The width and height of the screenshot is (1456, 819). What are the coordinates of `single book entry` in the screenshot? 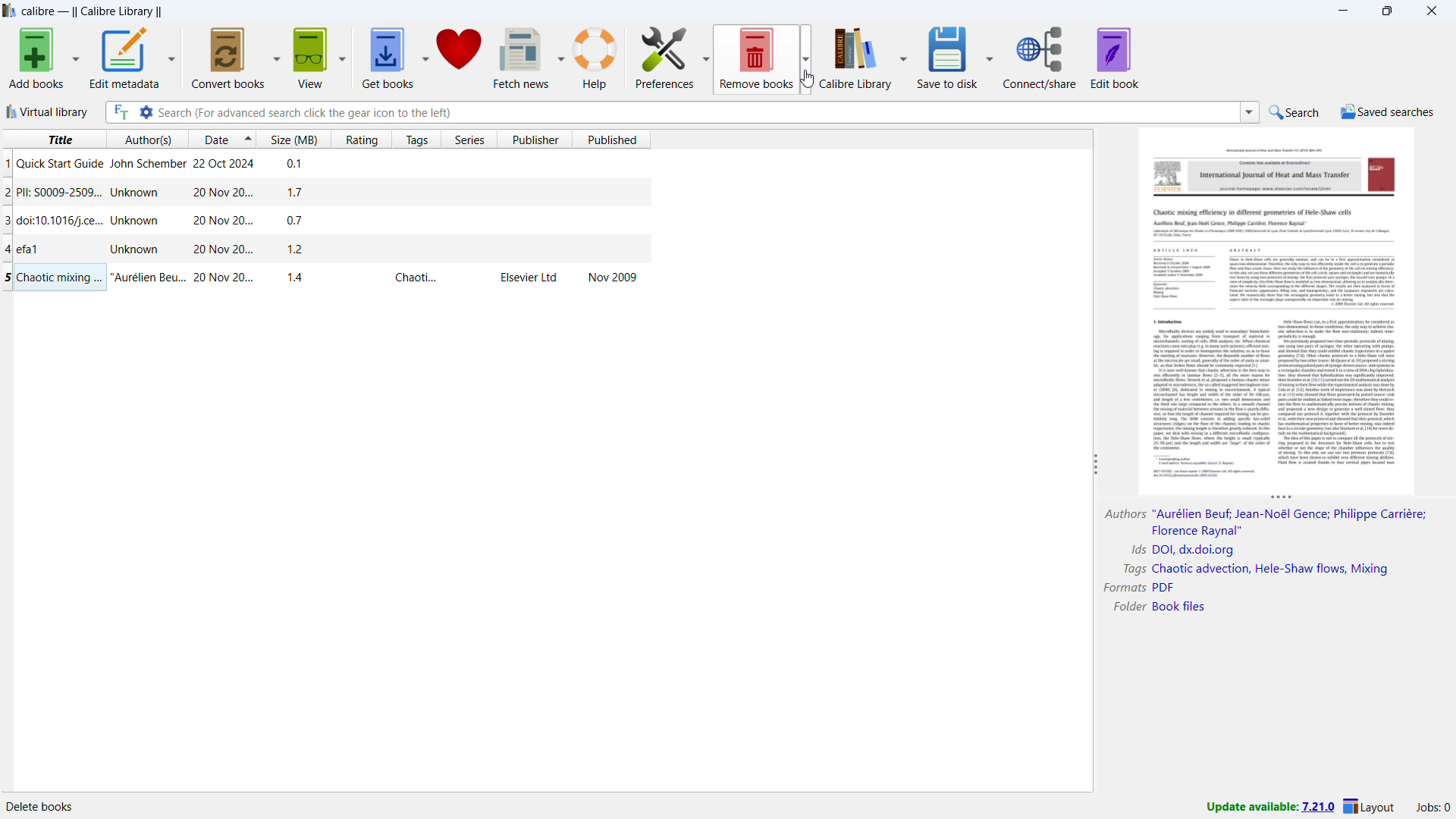 It's located at (325, 249).